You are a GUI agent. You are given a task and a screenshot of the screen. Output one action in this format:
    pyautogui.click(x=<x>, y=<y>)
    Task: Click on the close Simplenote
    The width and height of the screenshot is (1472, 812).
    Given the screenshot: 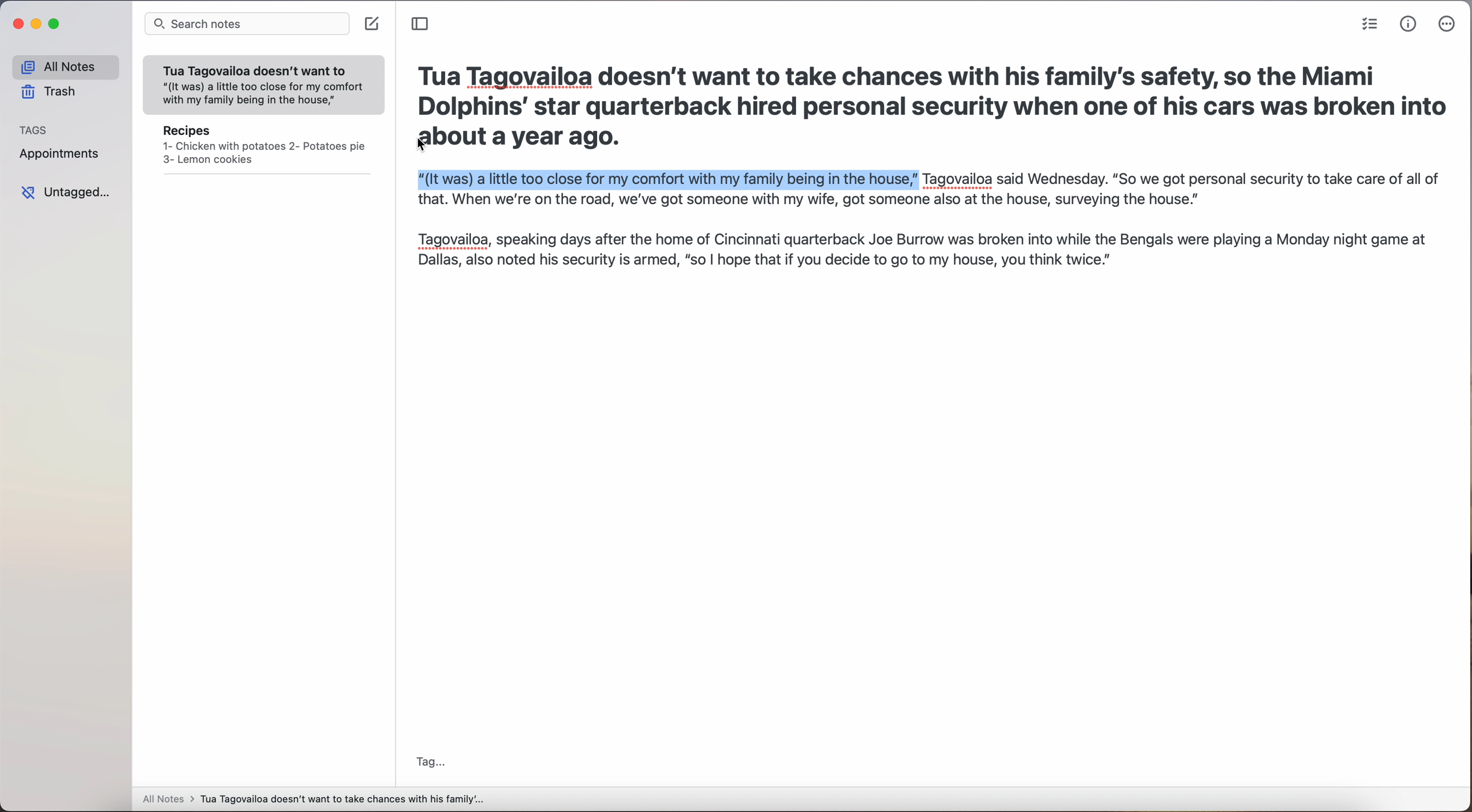 What is the action you would take?
    pyautogui.click(x=17, y=24)
    